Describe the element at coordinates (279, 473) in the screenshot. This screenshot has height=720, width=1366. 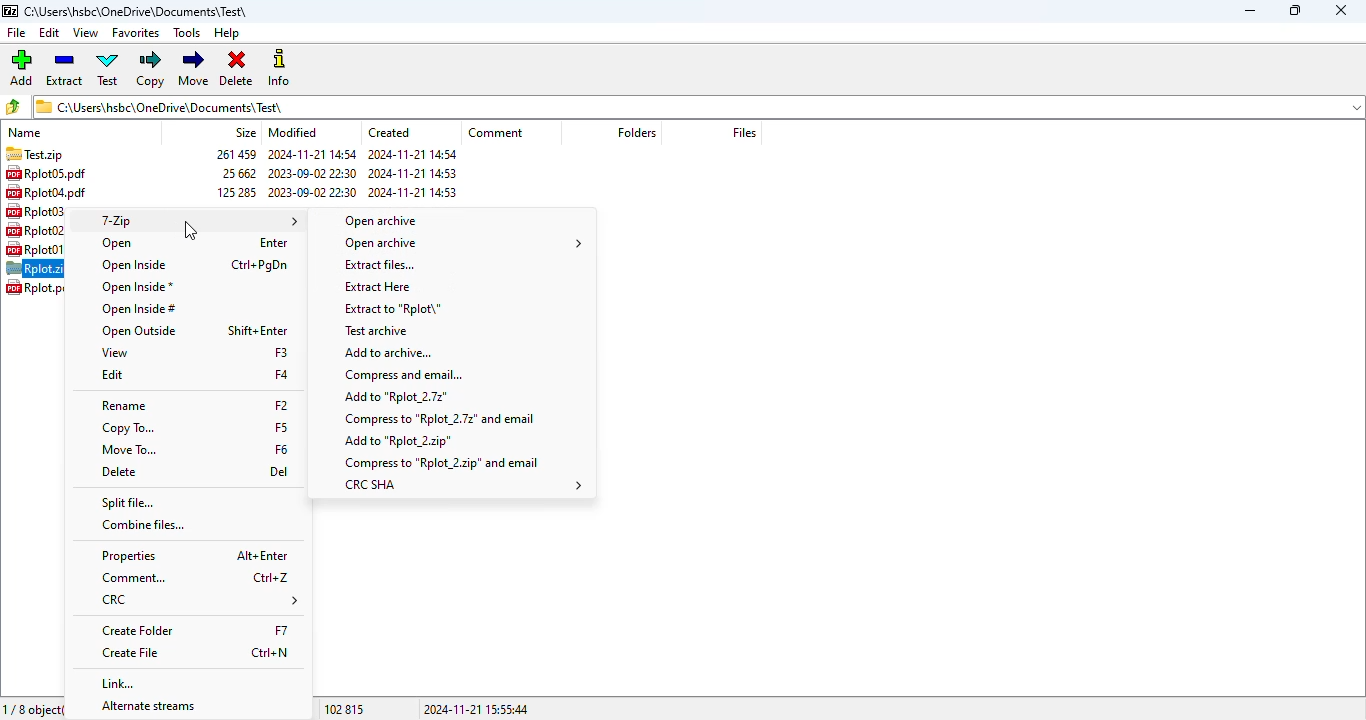
I see `shortcut for delete` at that location.